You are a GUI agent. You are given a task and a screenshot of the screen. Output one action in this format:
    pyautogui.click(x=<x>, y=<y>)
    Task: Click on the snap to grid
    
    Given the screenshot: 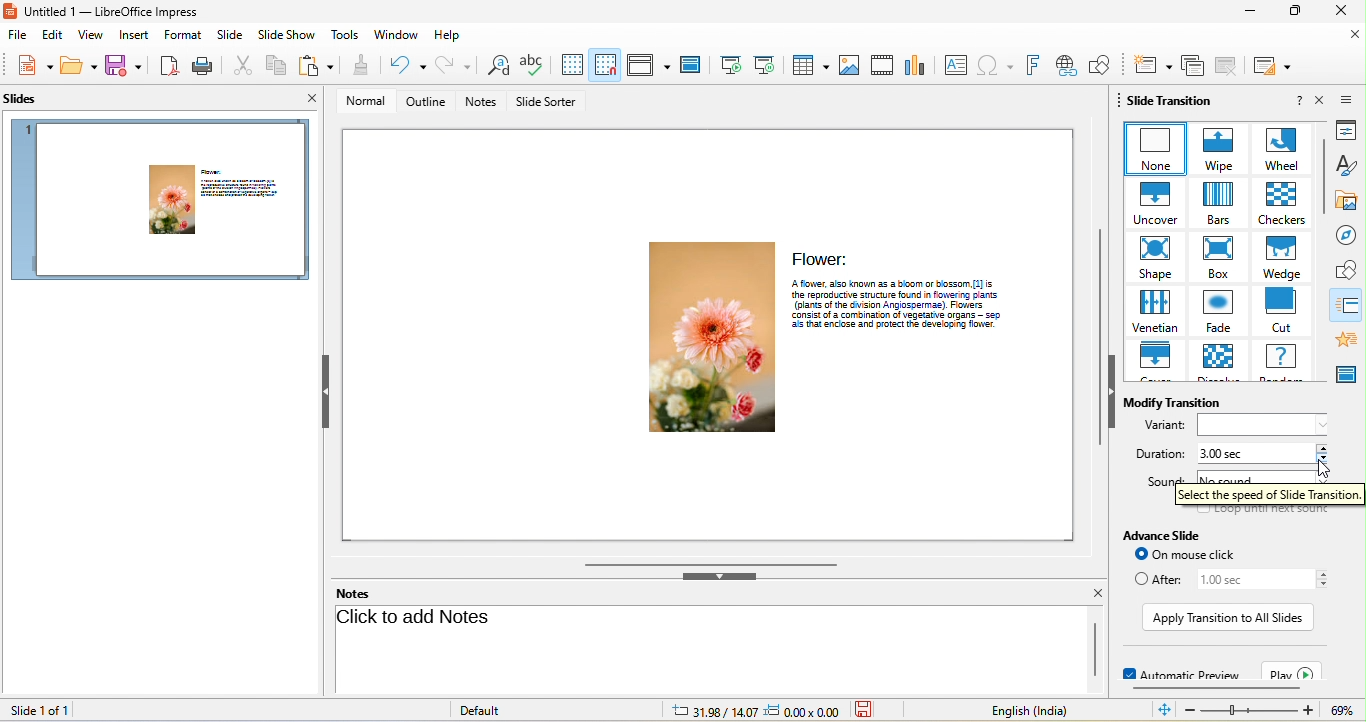 What is the action you would take?
    pyautogui.click(x=606, y=66)
    